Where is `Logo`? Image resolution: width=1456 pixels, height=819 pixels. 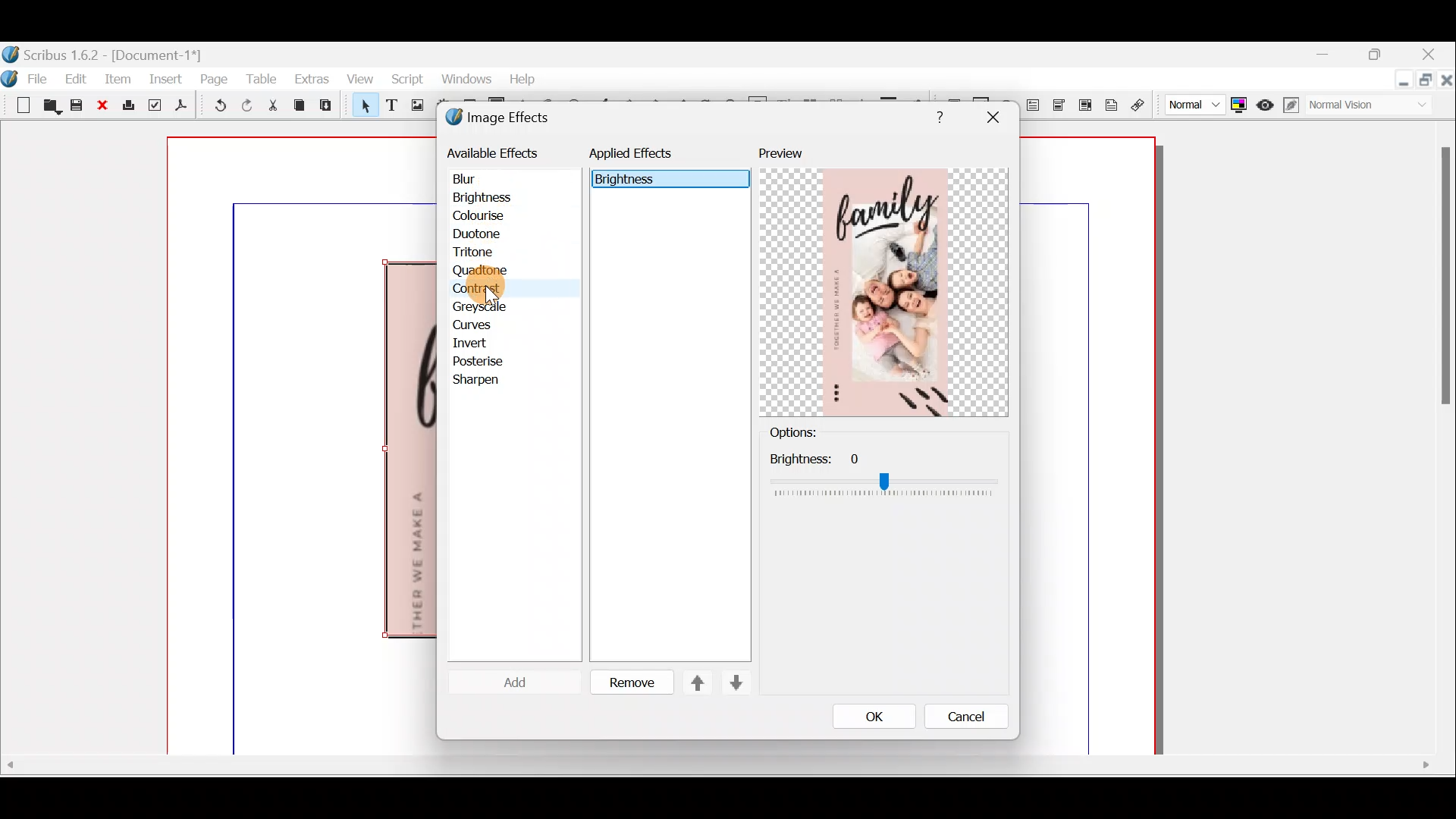
Logo is located at coordinates (10, 77).